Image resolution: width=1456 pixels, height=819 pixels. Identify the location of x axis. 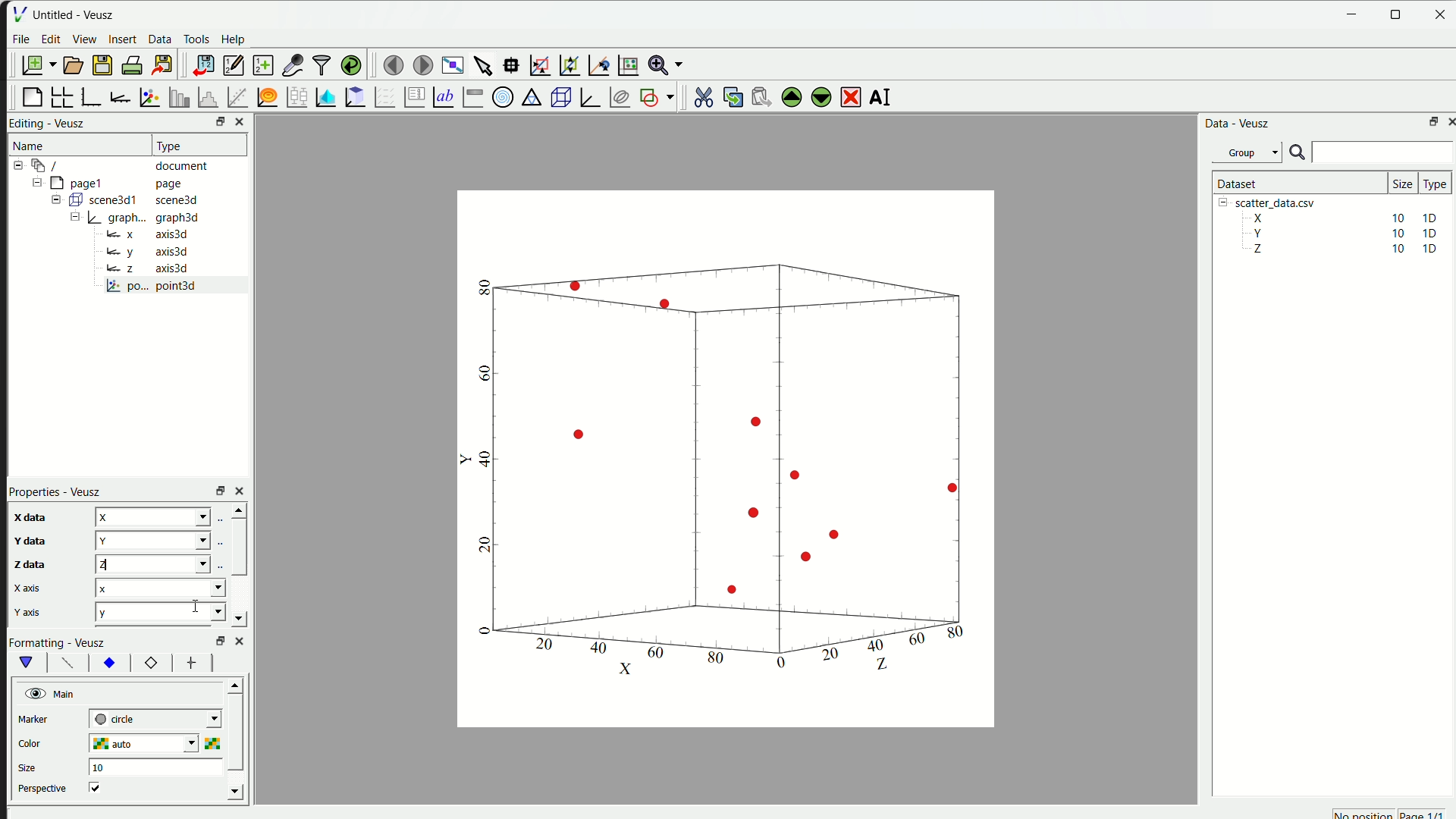
(28, 588).